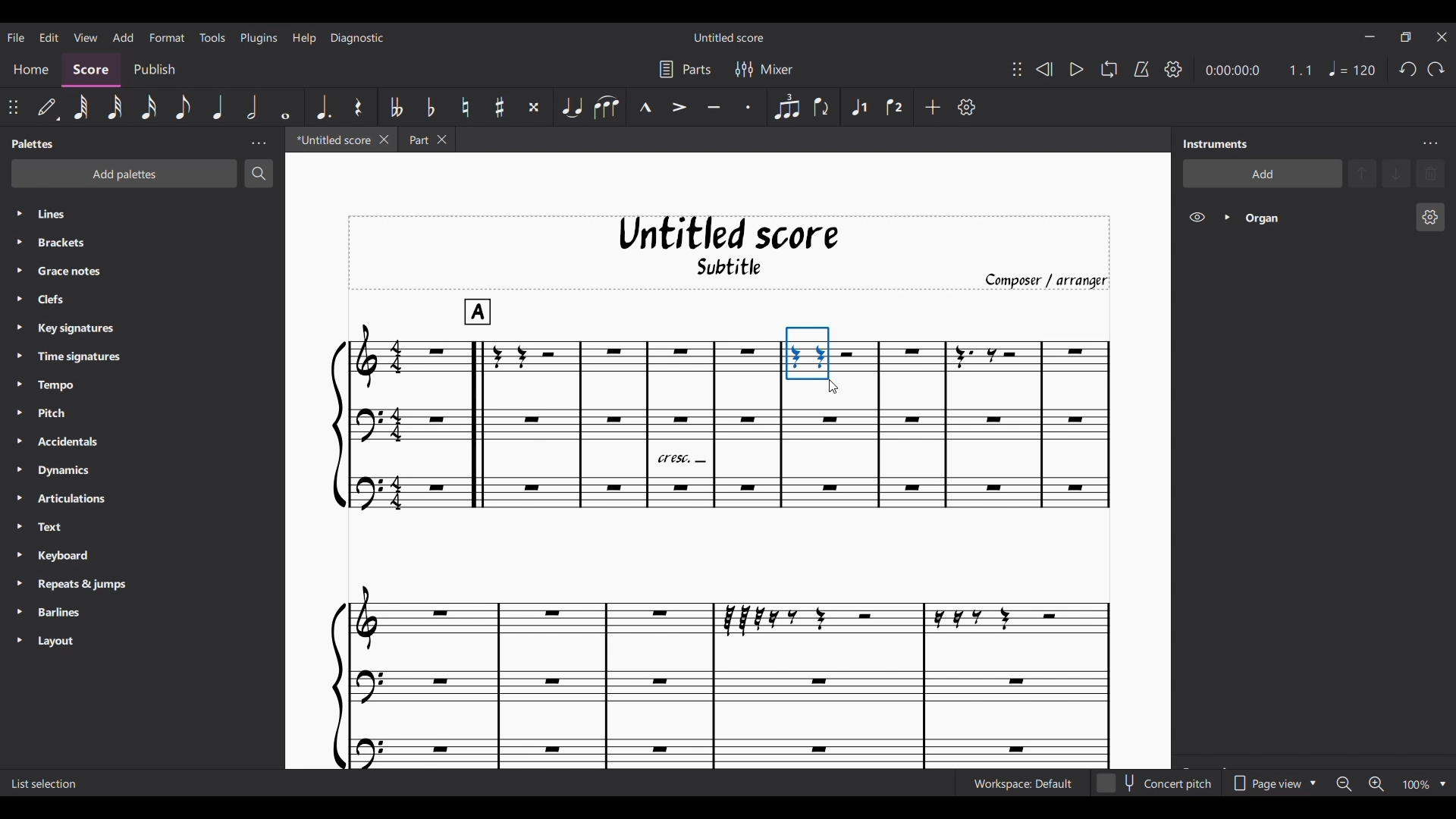 The image size is (1456, 819). Describe the element at coordinates (154, 71) in the screenshot. I see `Publish section` at that location.